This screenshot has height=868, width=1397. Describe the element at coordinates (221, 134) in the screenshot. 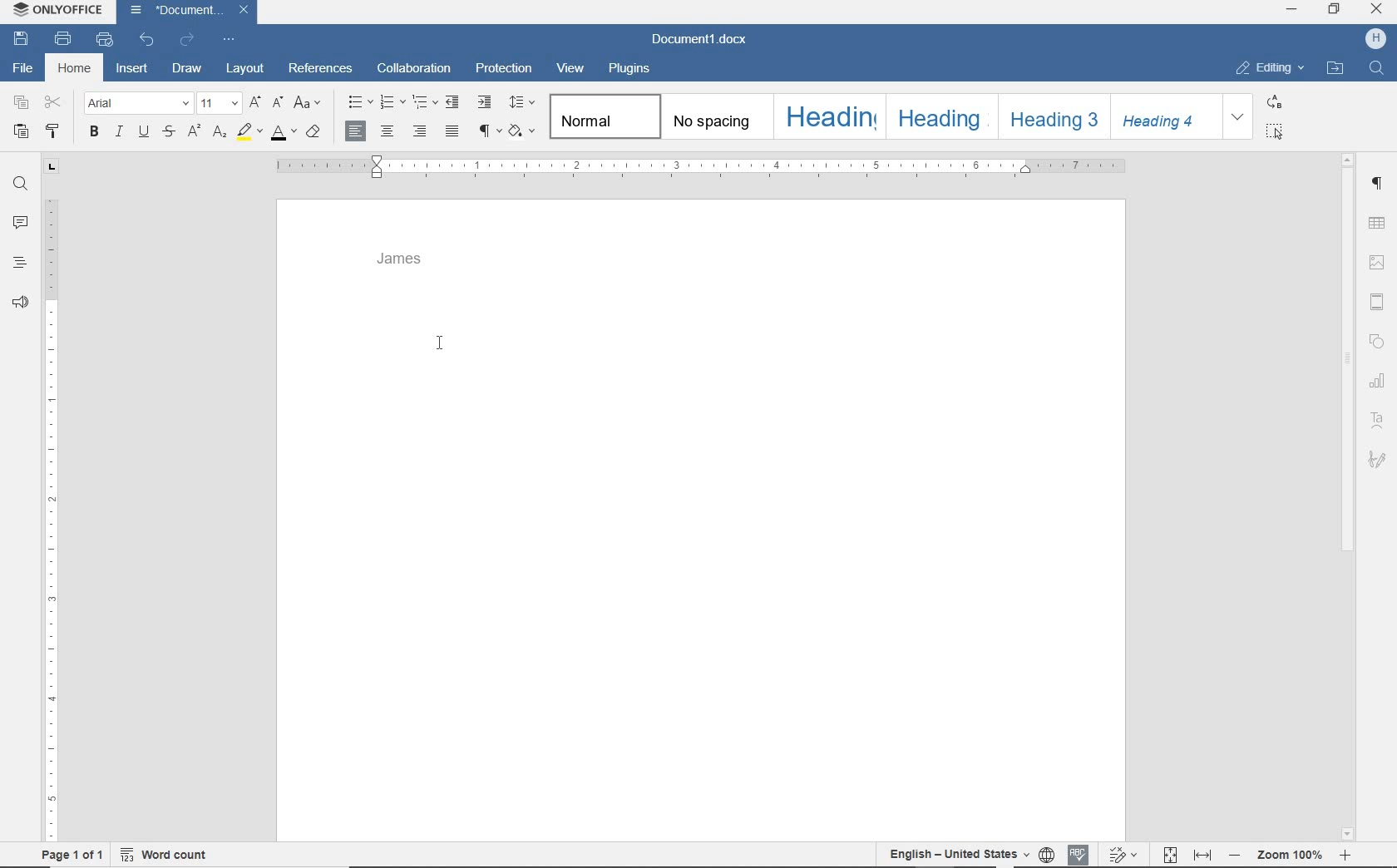

I see `subscript` at that location.